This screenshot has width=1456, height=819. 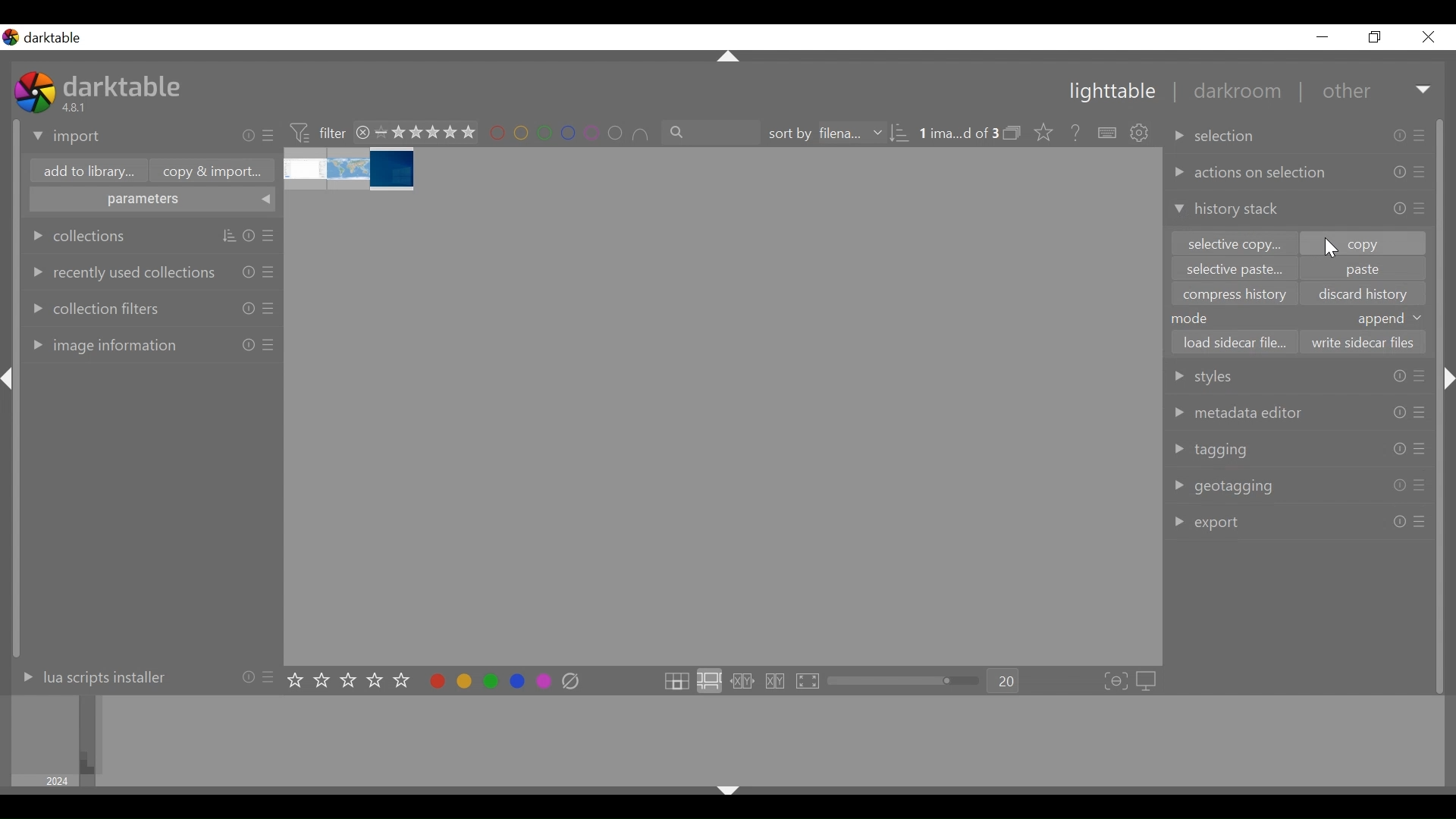 What do you see at coordinates (249, 271) in the screenshot?
I see `info` at bounding box center [249, 271].